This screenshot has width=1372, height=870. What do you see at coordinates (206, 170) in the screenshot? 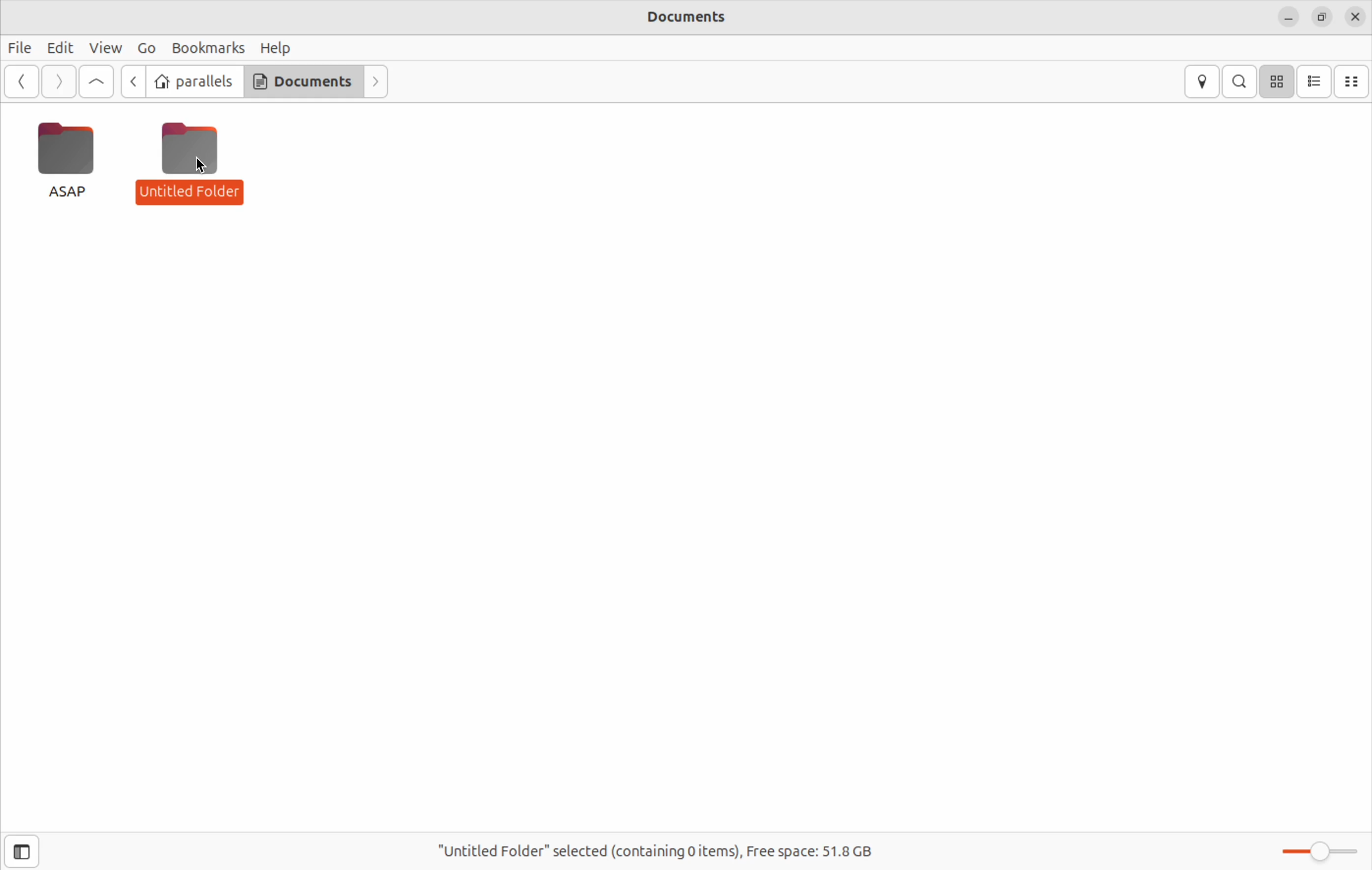
I see `cursor` at bounding box center [206, 170].